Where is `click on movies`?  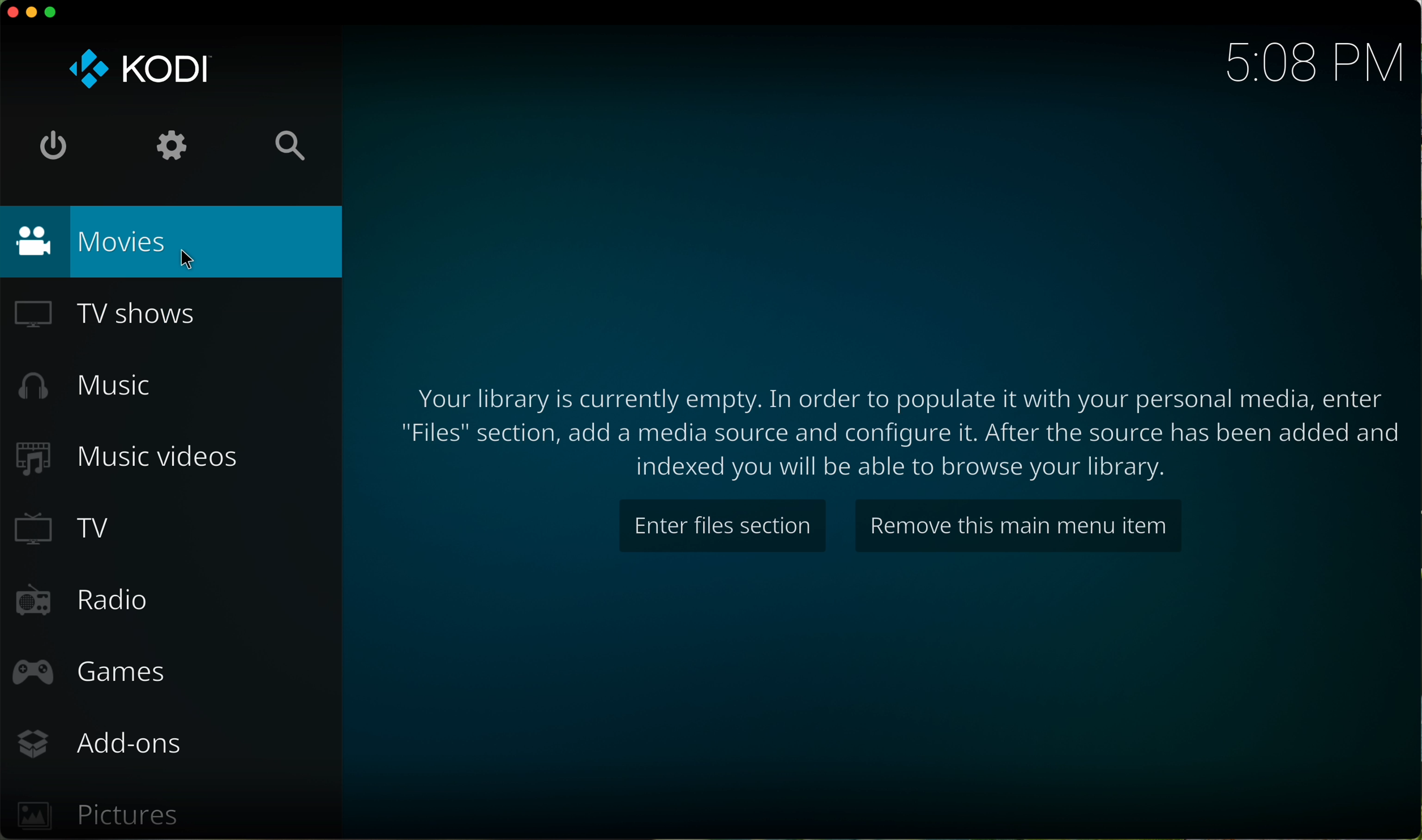 click on movies is located at coordinates (173, 242).